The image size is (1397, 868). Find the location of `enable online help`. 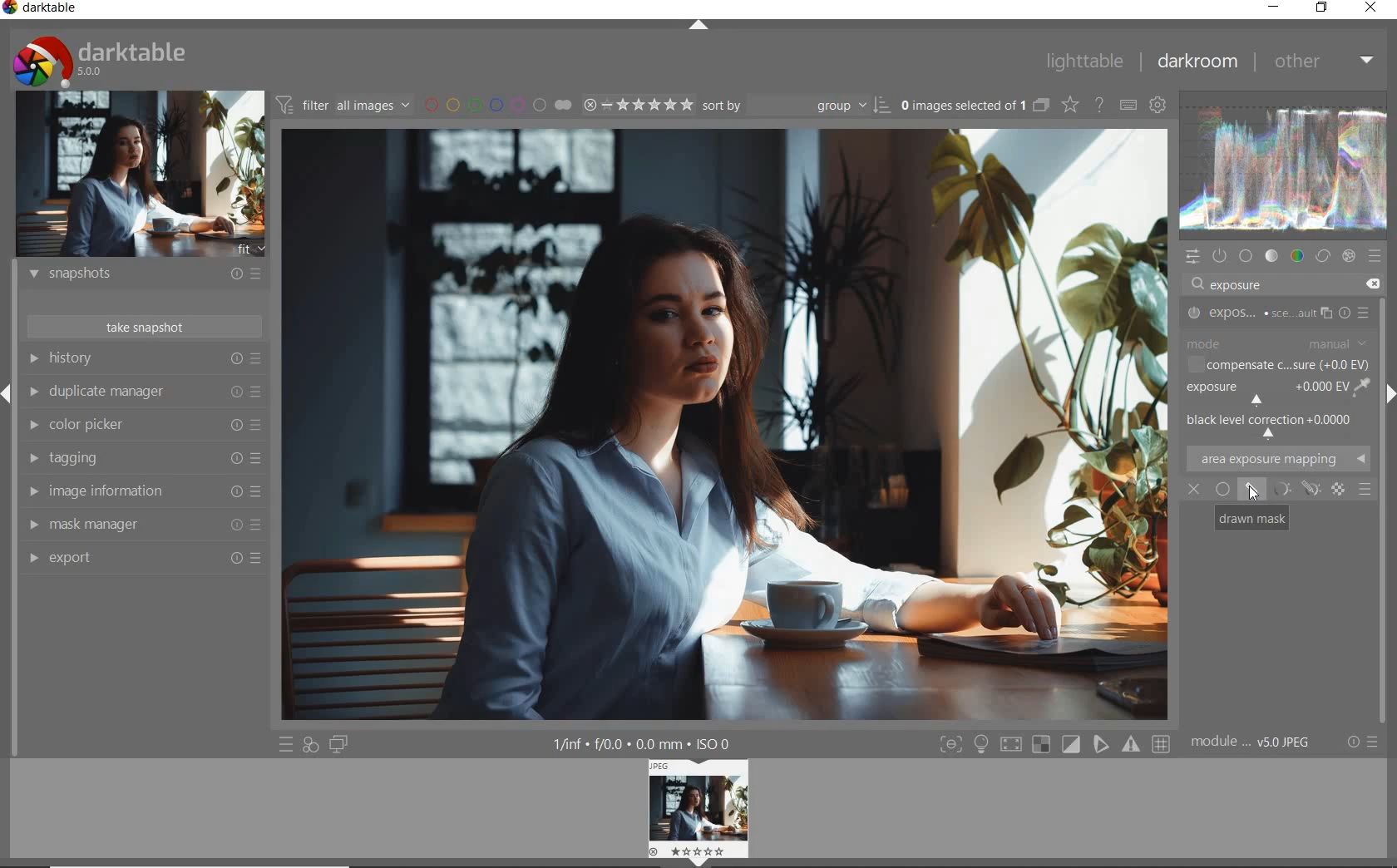

enable online help is located at coordinates (1100, 105).